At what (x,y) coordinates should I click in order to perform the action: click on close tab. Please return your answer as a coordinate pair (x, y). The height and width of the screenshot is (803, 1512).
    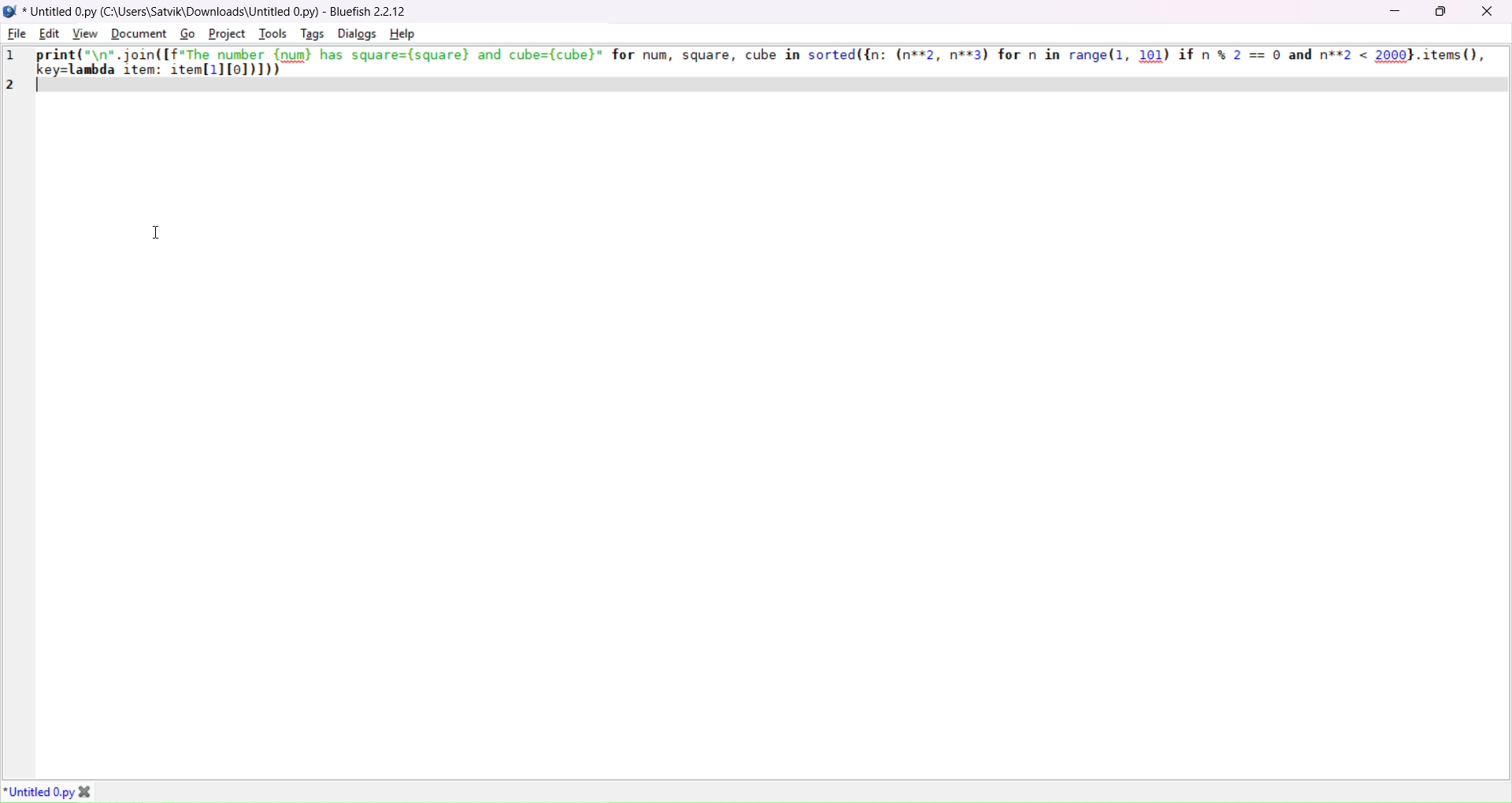
    Looking at the image, I should click on (85, 789).